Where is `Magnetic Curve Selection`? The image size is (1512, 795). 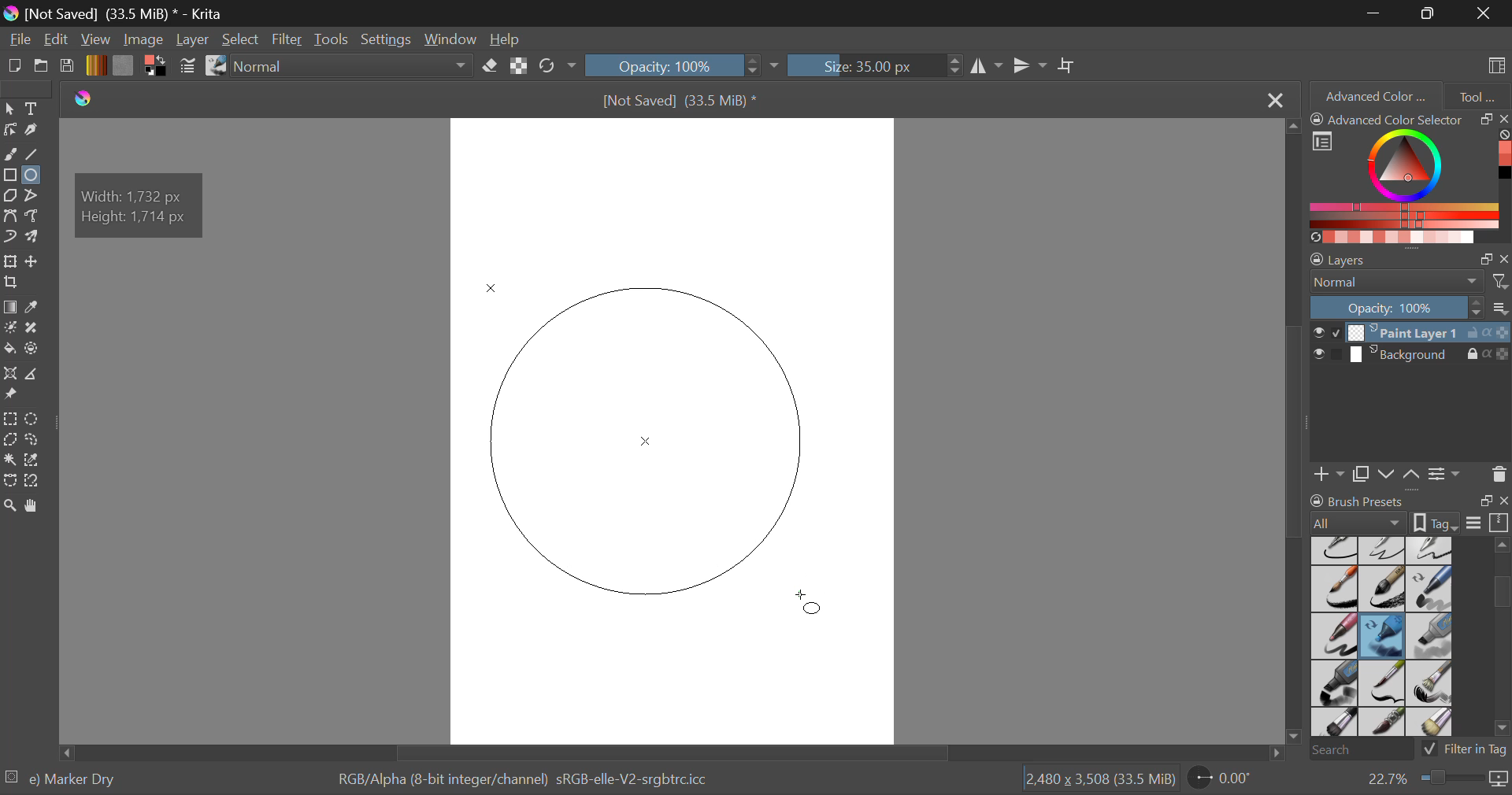
Magnetic Curve Selection is located at coordinates (38, 481).